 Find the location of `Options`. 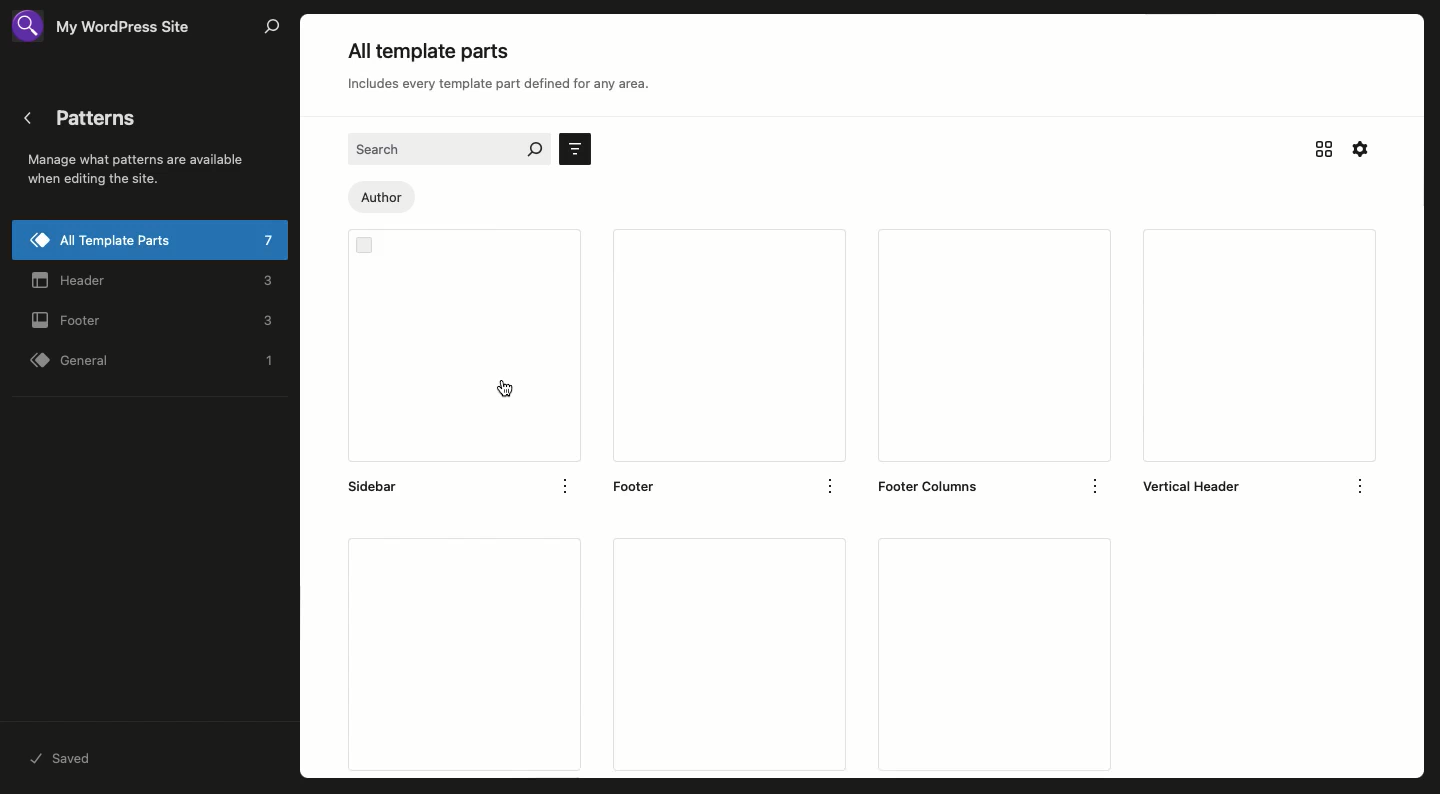

Options is located at coordinates (568, 485).